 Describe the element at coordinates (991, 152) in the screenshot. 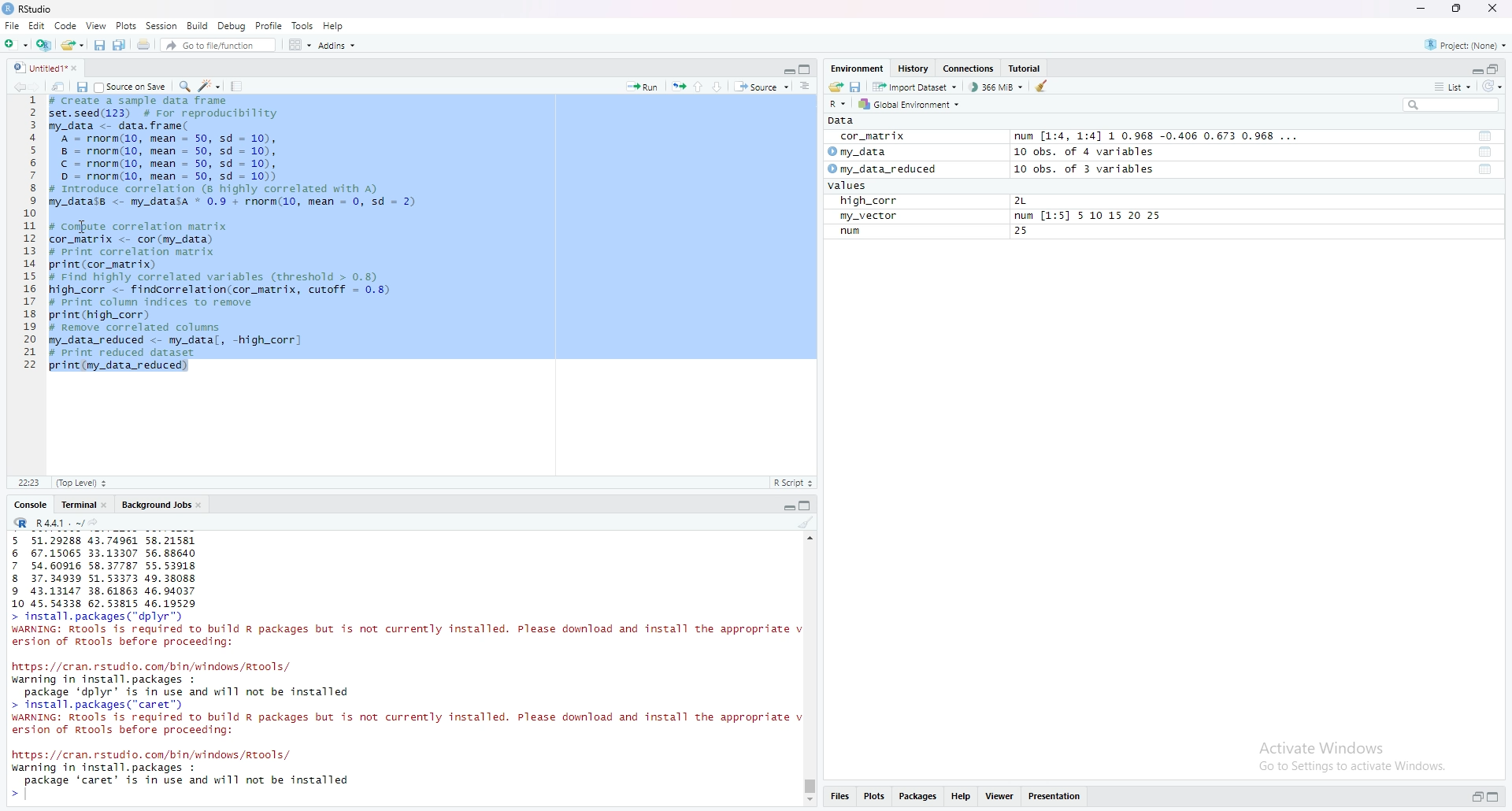

I see `my_data 10 obs. of 4 variables` at that location.